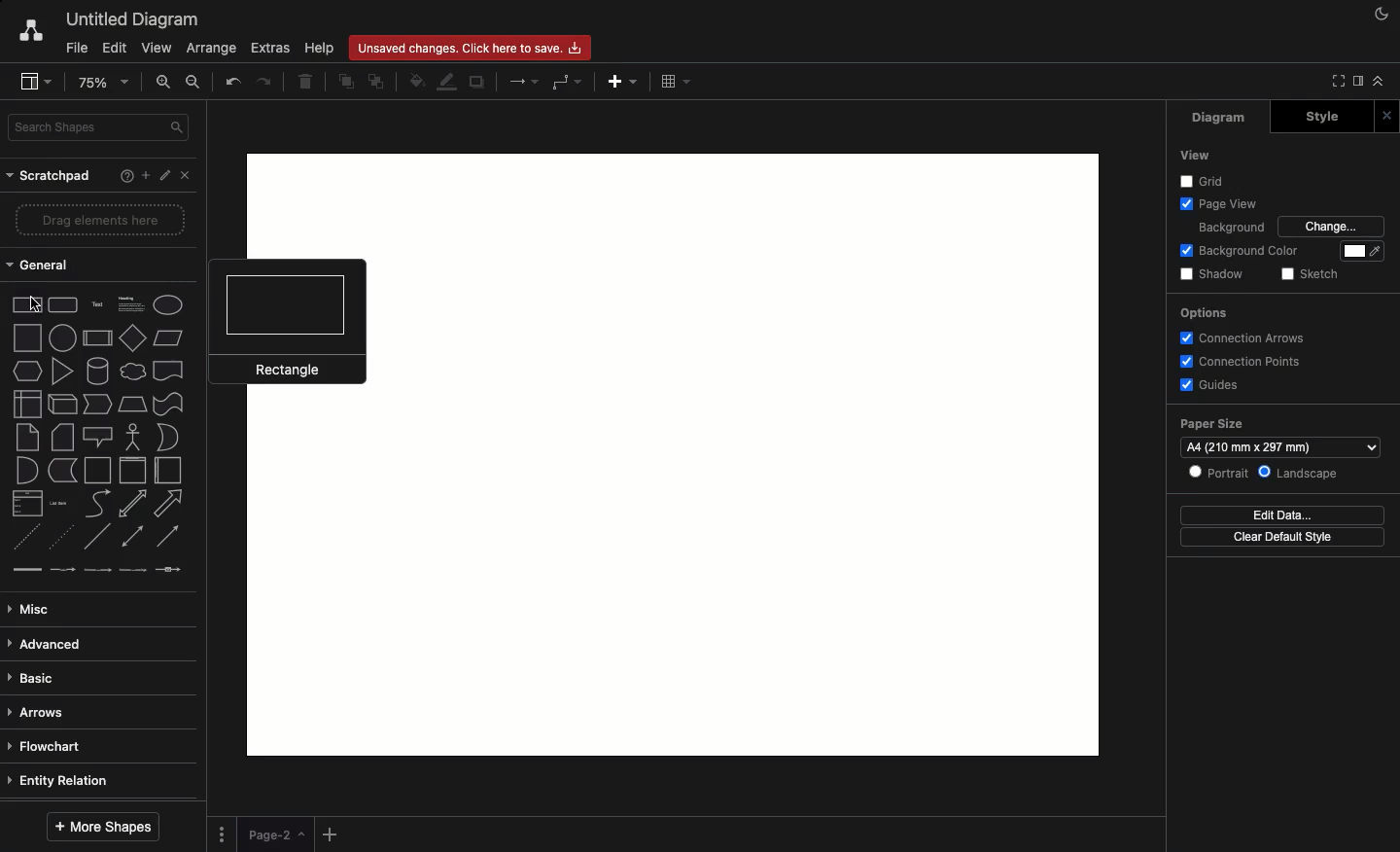 This screenshot has height=852, width=1400. I want to click on Waypoints, so click(565, 83).